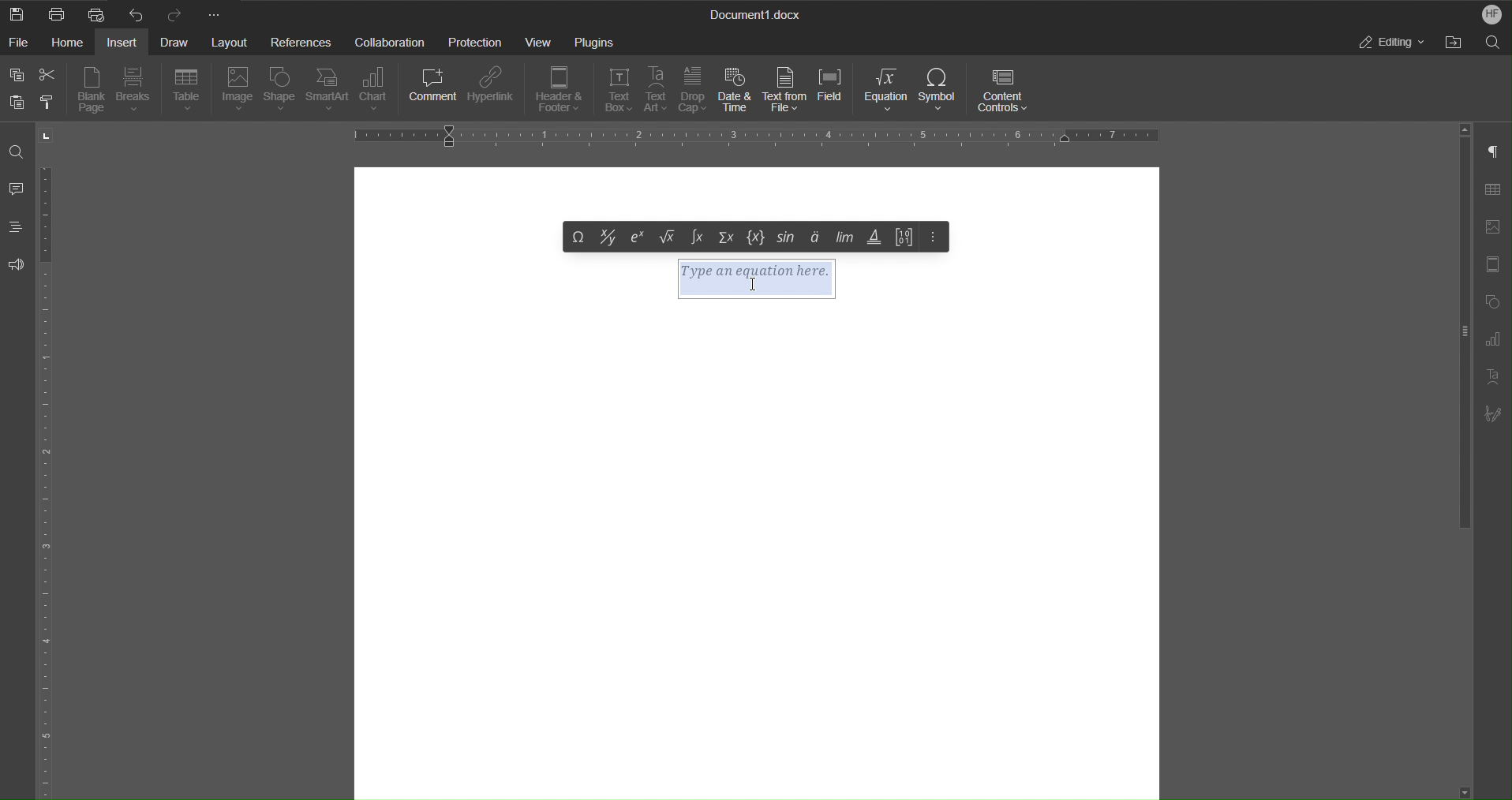  Describe the element at coordinates (48, 103) in the screenshot. I see `Copy Style` at that location.